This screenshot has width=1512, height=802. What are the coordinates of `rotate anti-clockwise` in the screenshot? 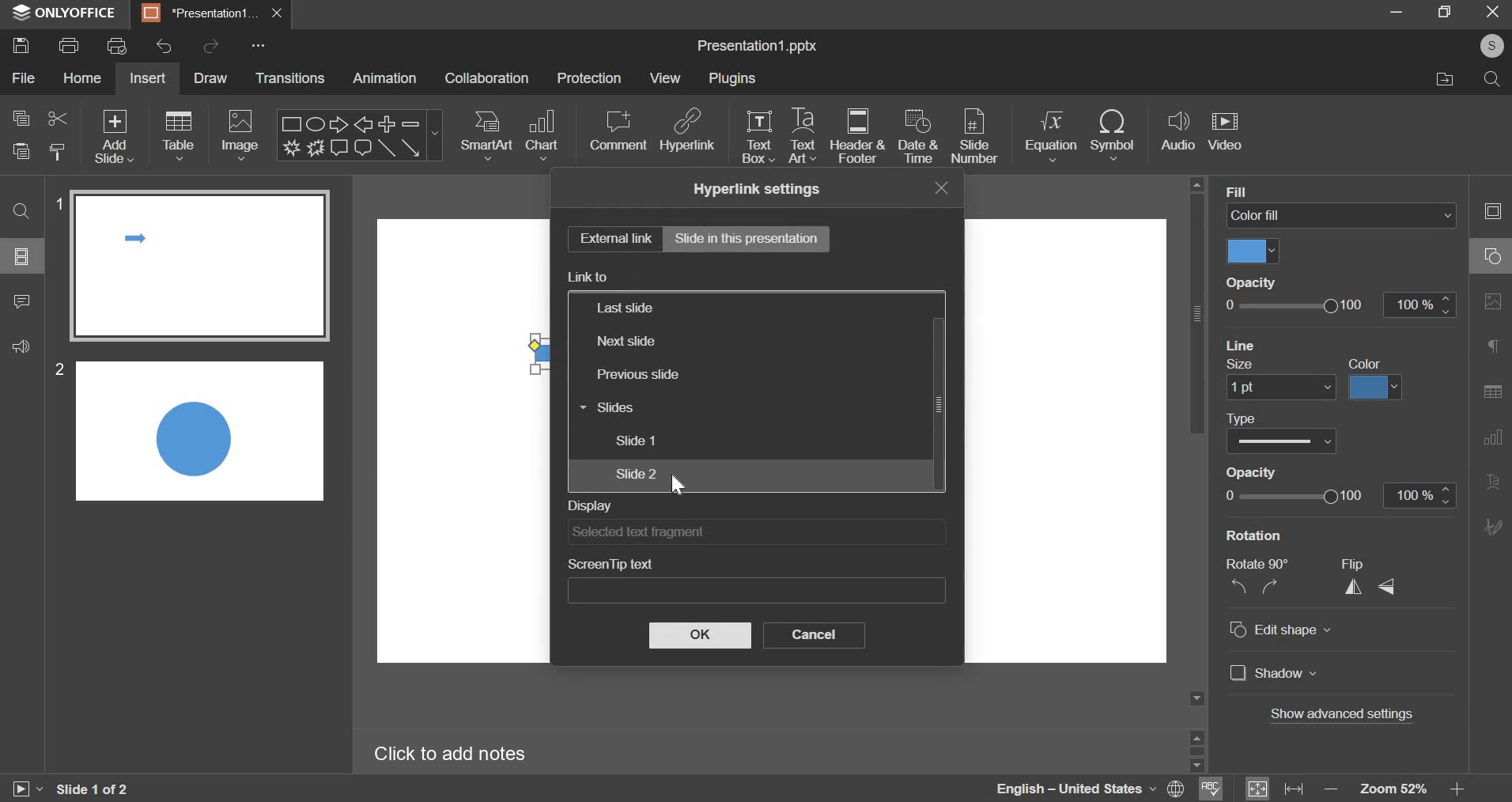 It's located at (1237, 587).